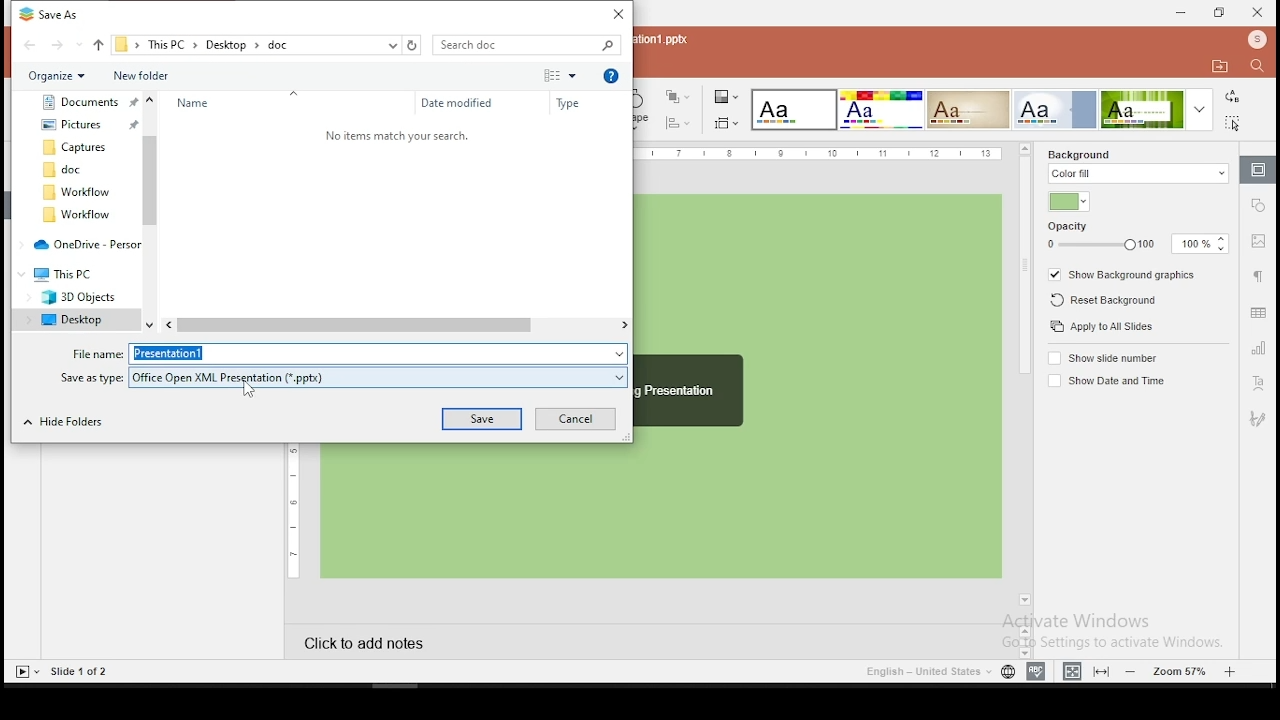  Describe the element at coordinates (58, 16) in the screenshot. I see `Save As` at that location.